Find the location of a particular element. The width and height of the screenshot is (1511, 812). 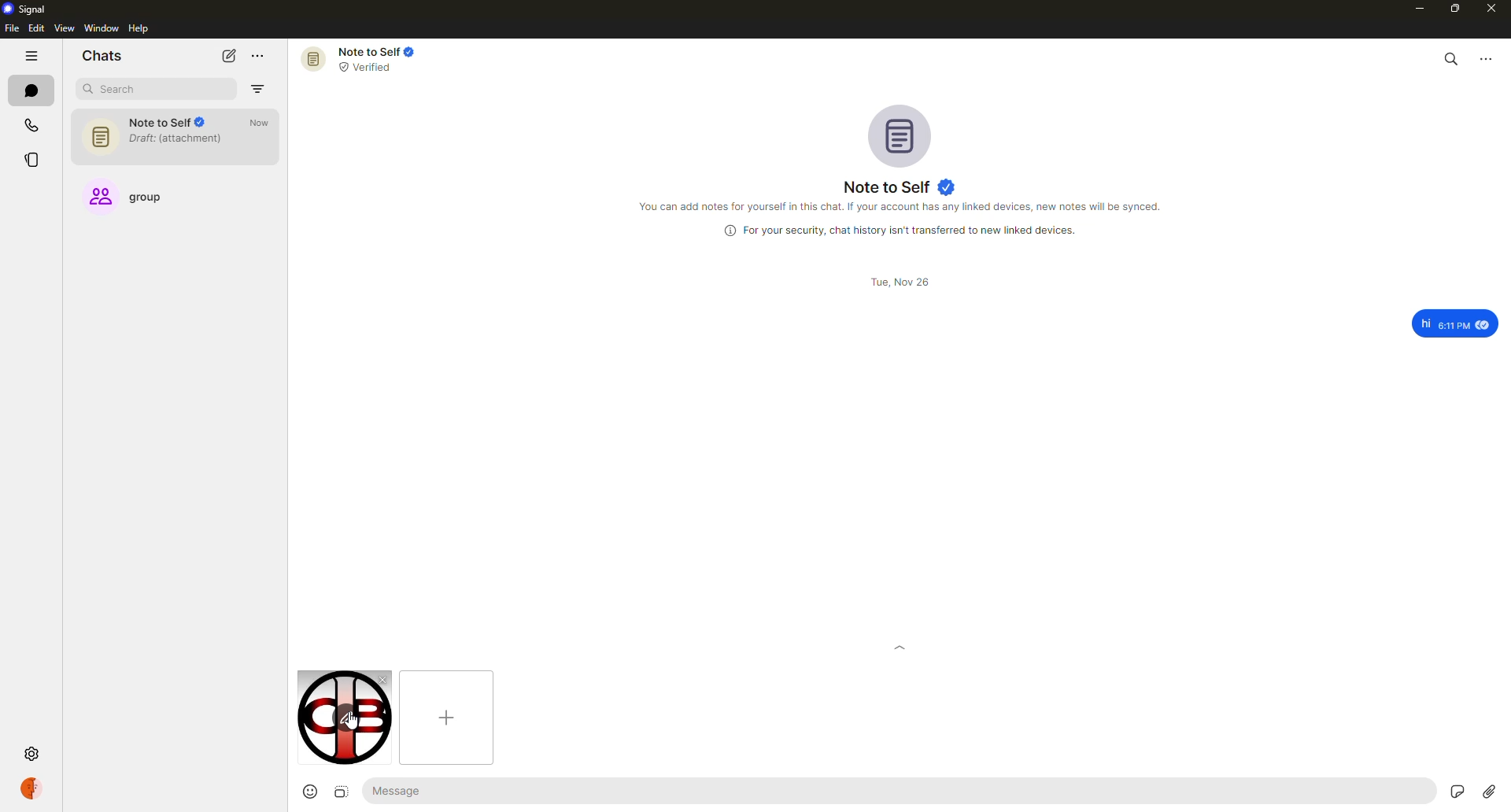

cursor on edit is located at coordinates (342, 716).